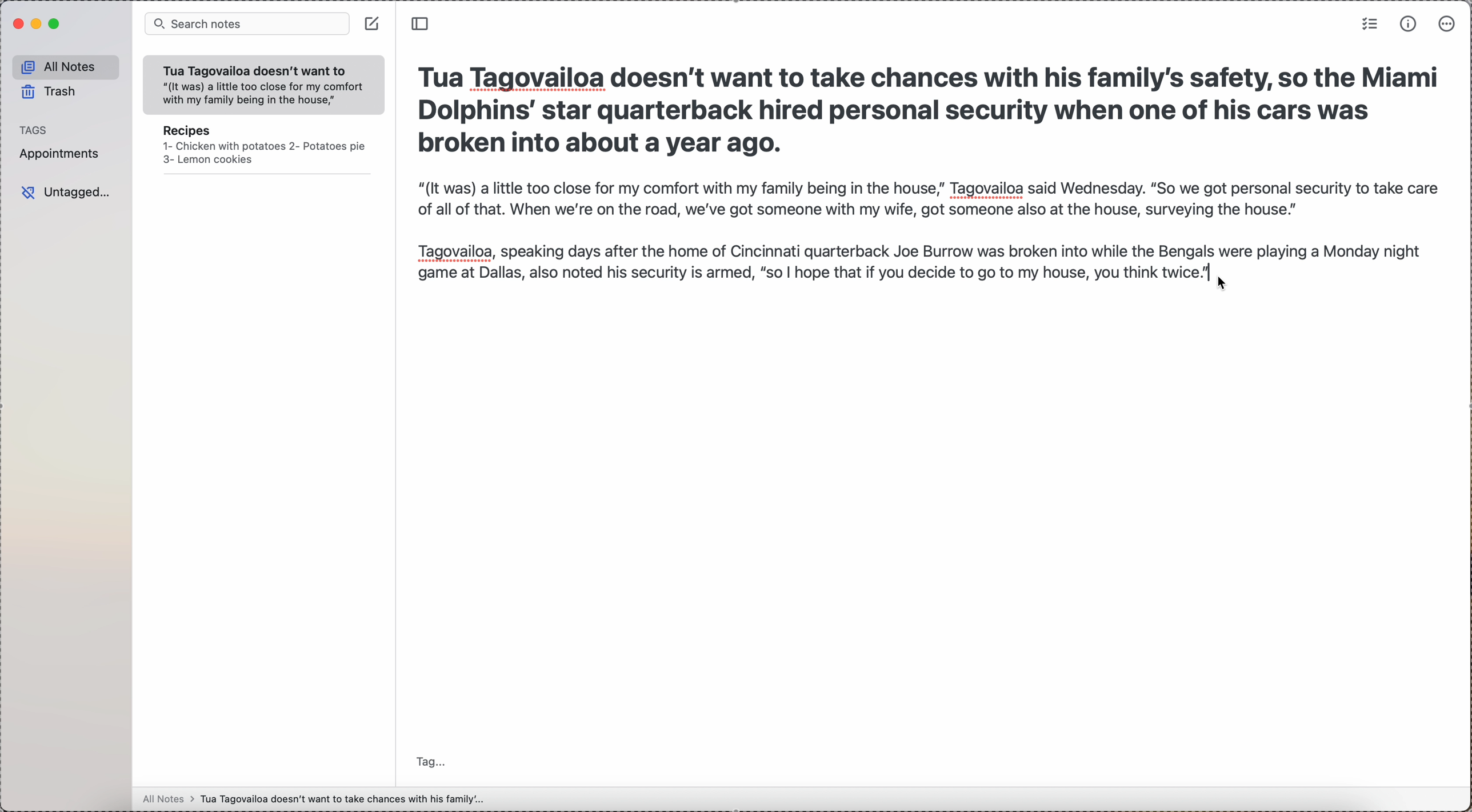 This screenshot has height=812, width=1472. What do you see at coordinates (38, 25) in the screenshot?
I see `minimize app` at bounding box center [38, 25].